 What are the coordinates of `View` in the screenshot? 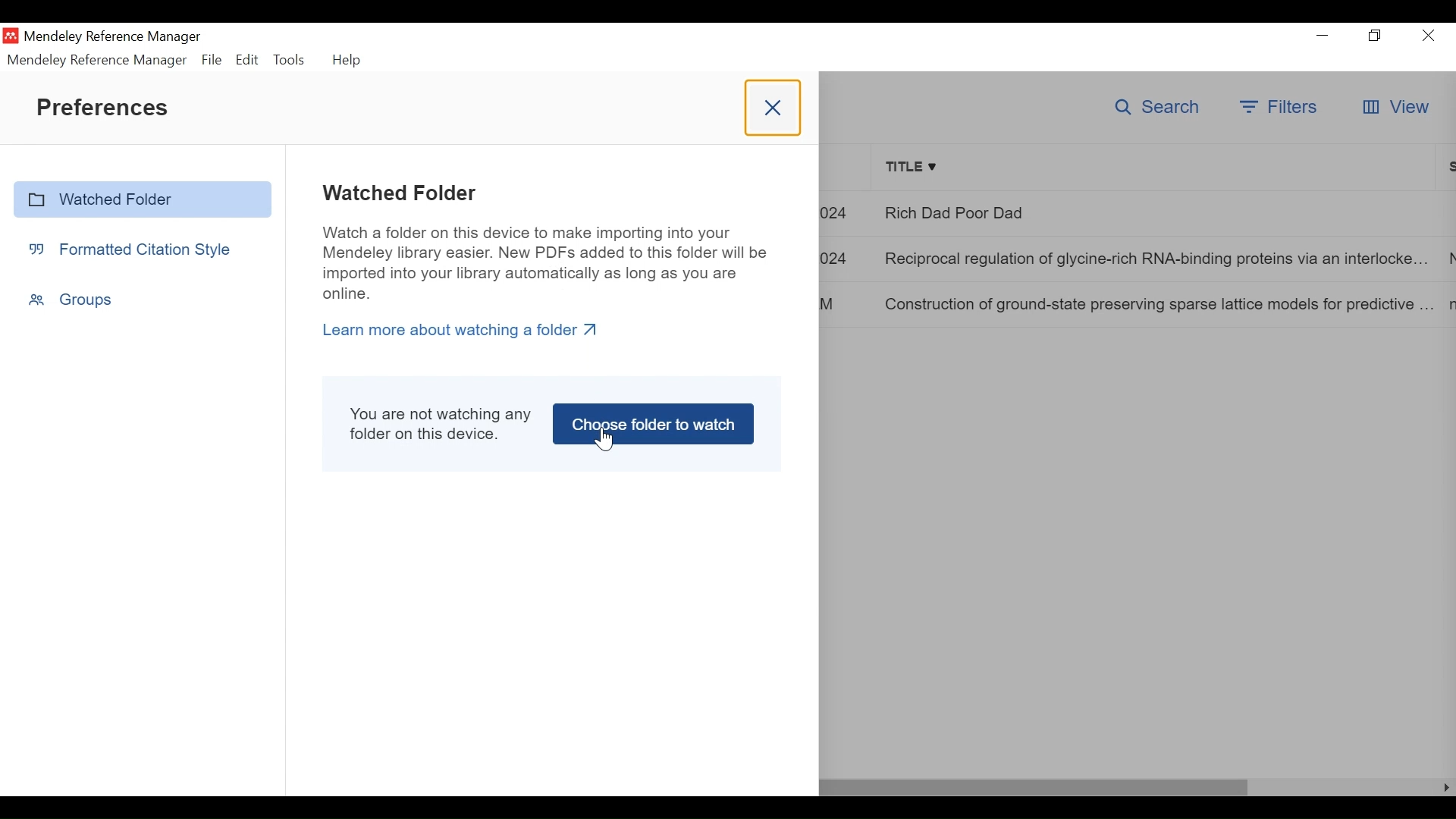 It's located at (1395, 108).